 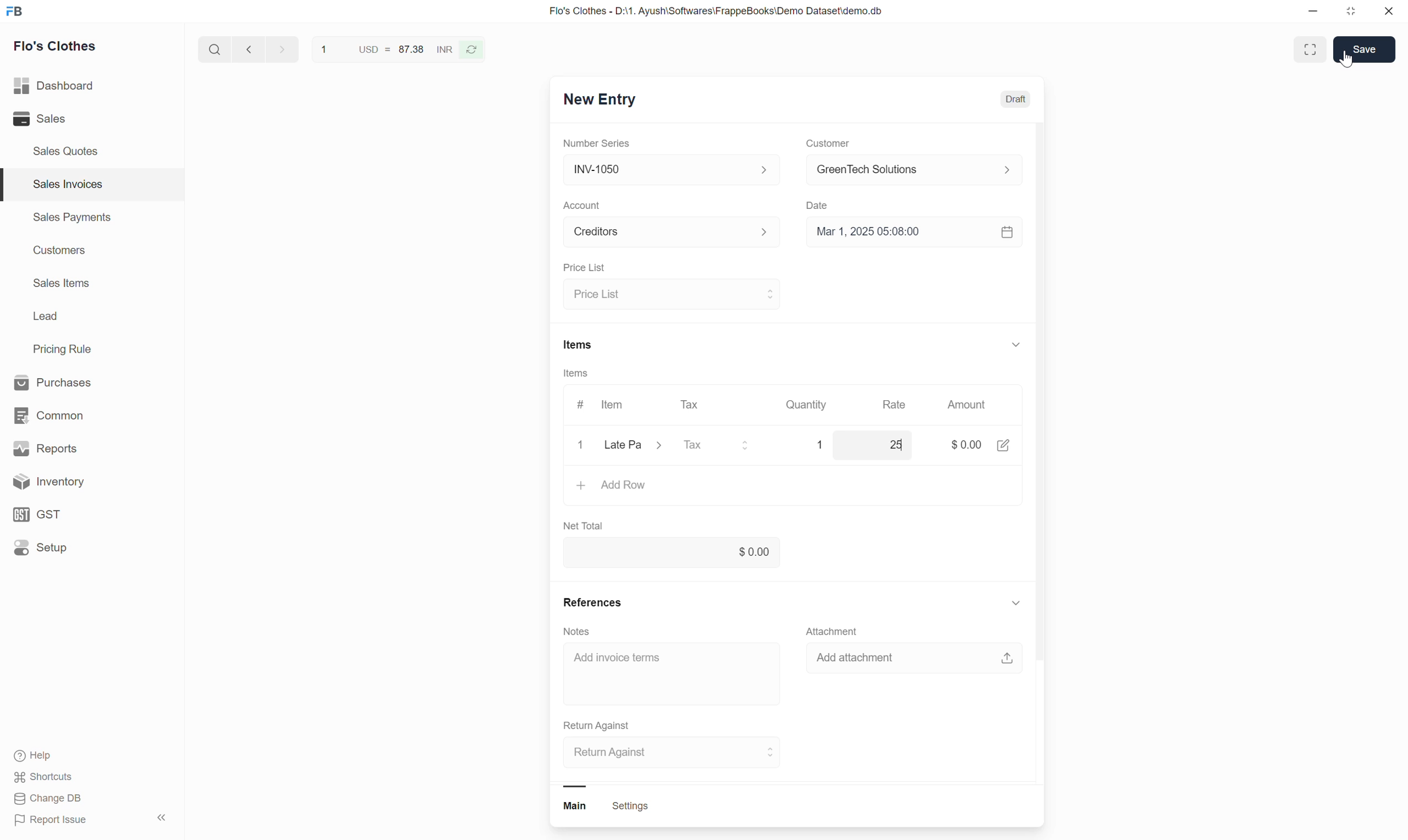 I want to click on shortcuts , so click(x=54, y=777).